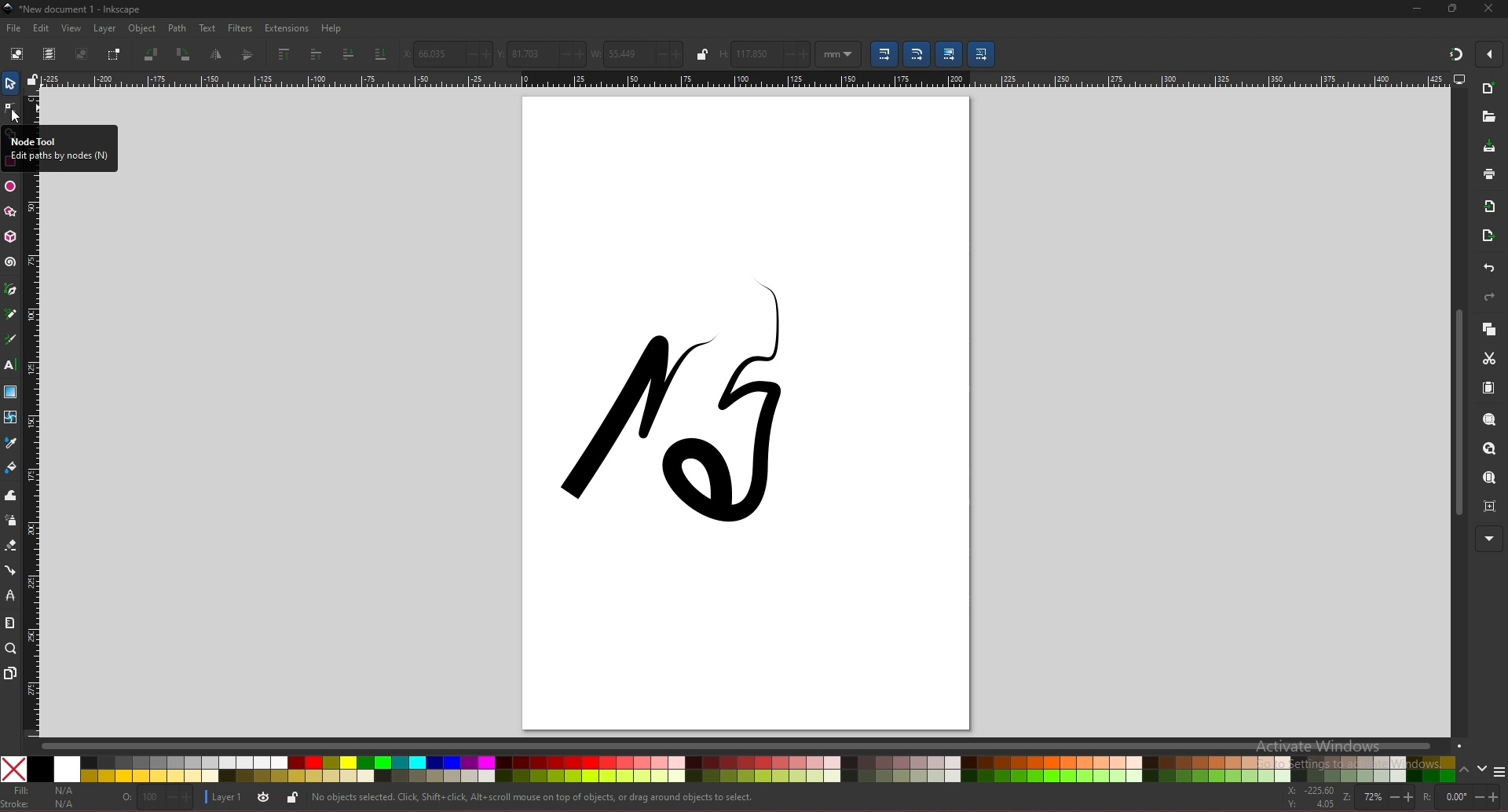 The image size is (1508, 812). I want to click on open, so click(1488, 117).